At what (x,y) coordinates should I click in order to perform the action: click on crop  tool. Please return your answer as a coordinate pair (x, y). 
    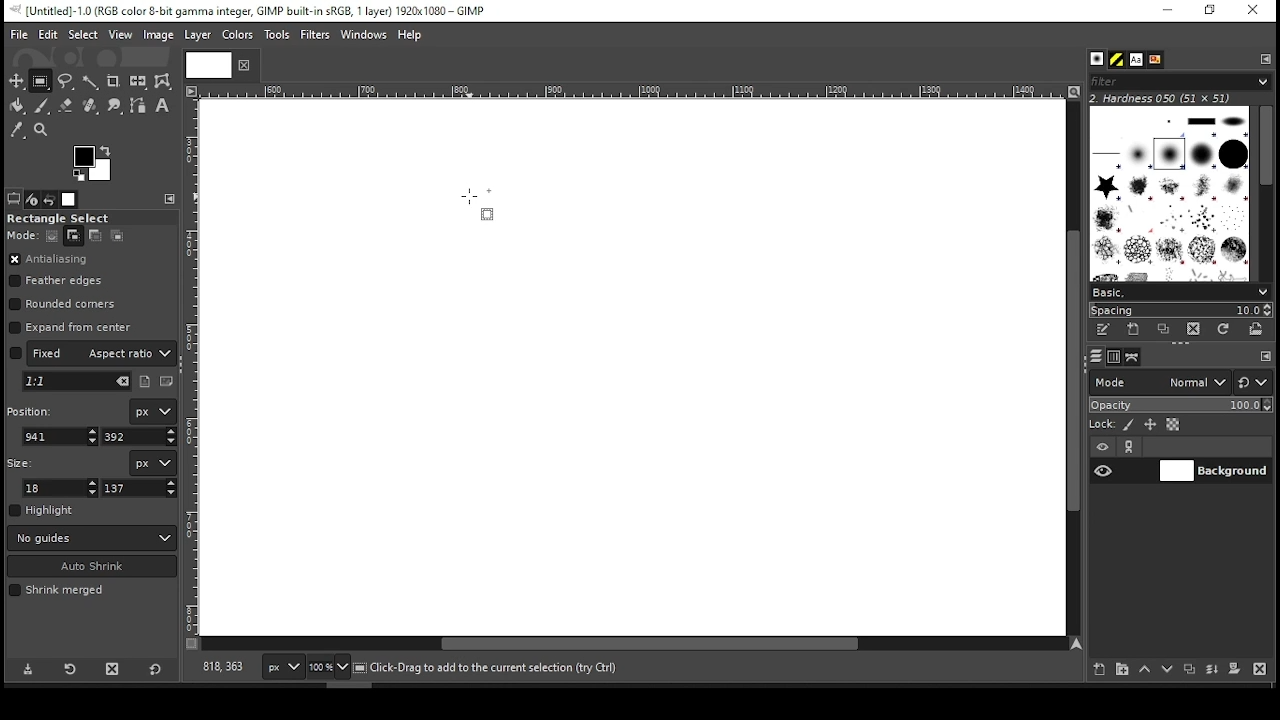
    Looking at the image, I should click on (113, 82).